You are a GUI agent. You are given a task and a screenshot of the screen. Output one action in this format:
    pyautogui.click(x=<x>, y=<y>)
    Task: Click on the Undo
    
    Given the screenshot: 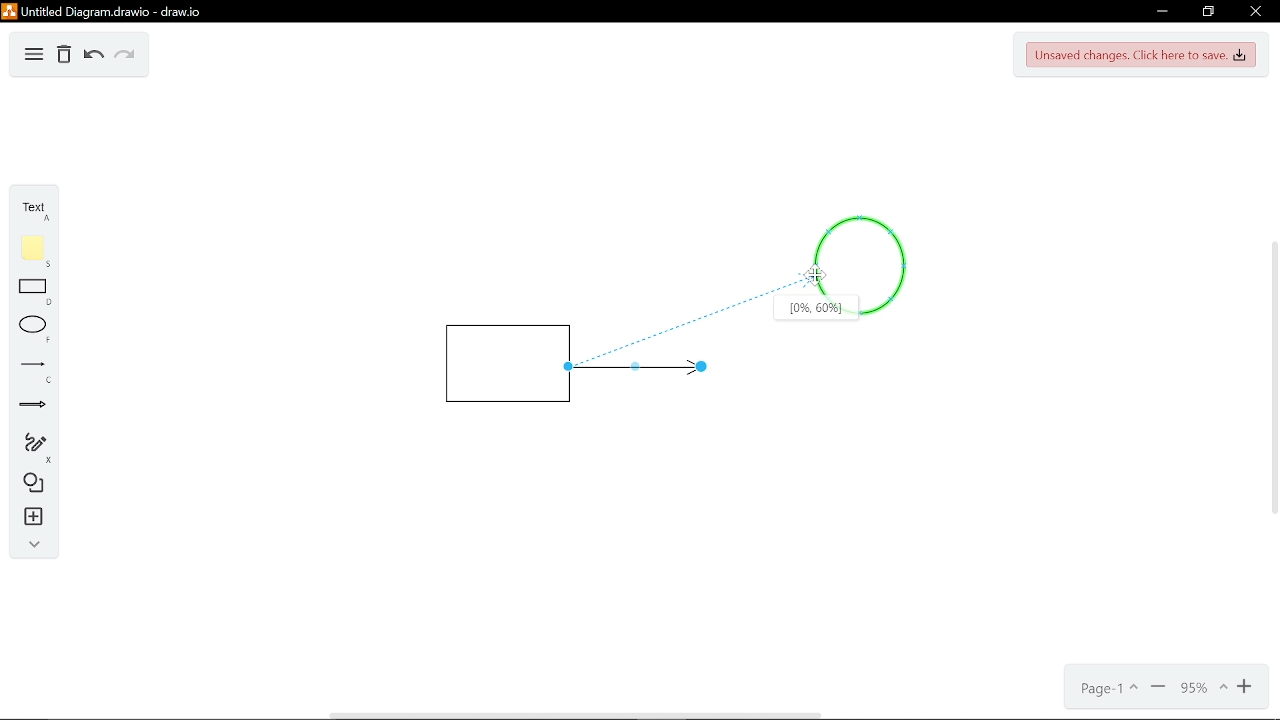 What is the action you would take?
    pyautogui.click(x=92, y=56)
    